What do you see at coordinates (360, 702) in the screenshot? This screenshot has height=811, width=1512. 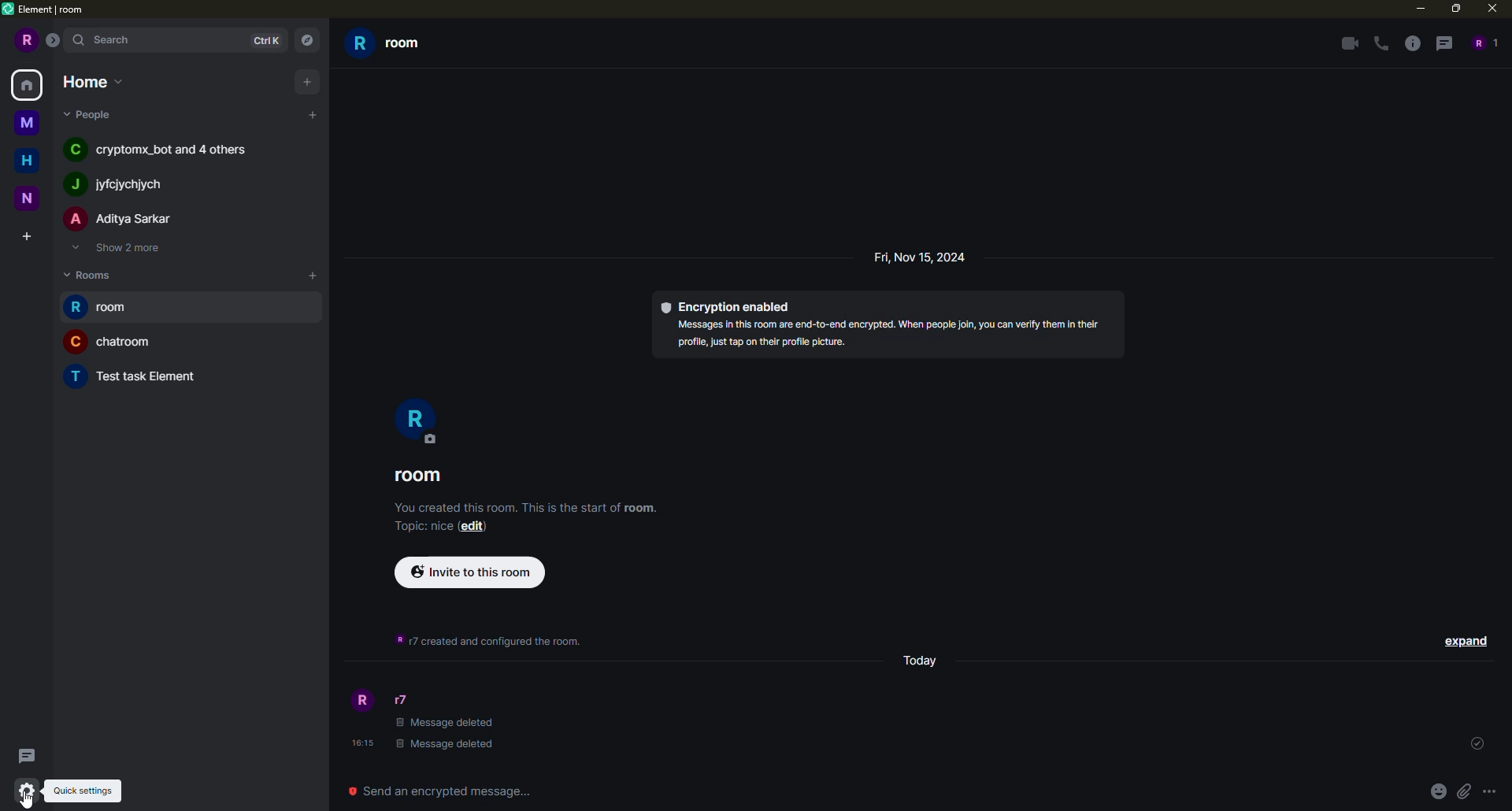 I see `profile` at bounding box center [360, 702].